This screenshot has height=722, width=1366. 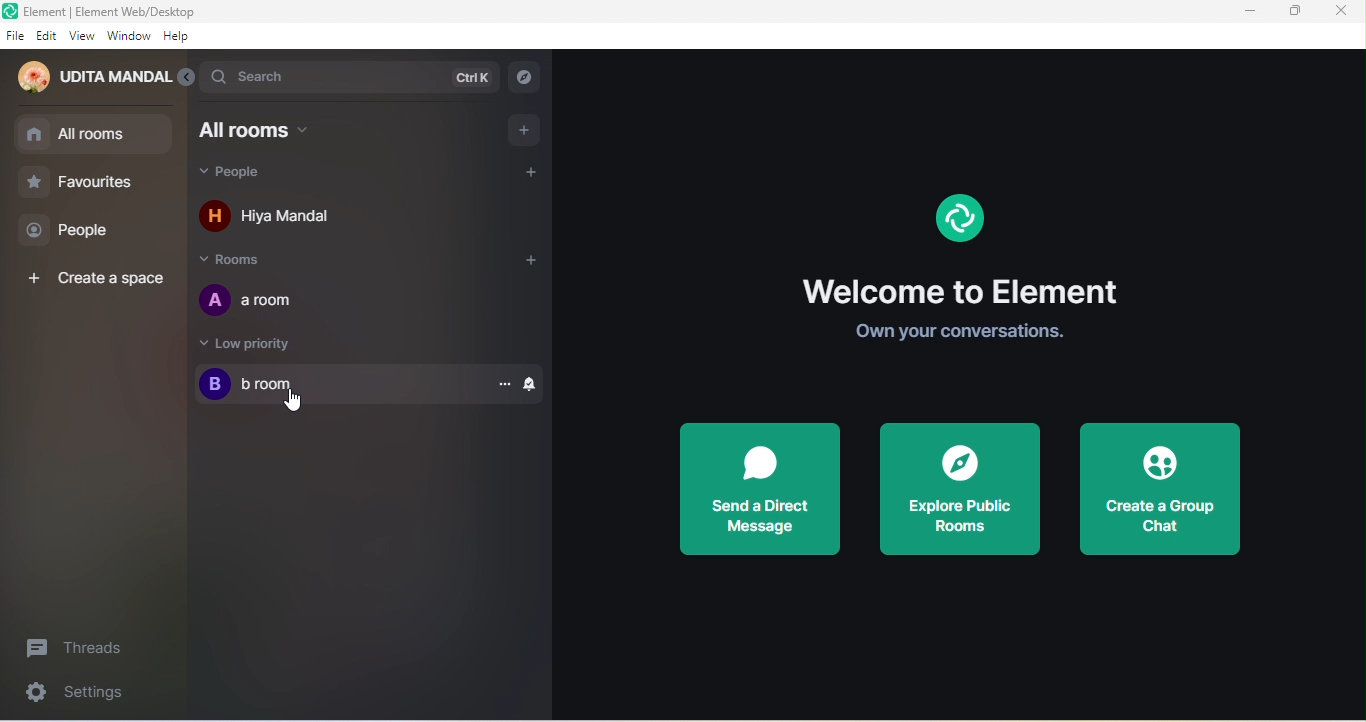 I want to click on rooms, so click(x=242, y=262).